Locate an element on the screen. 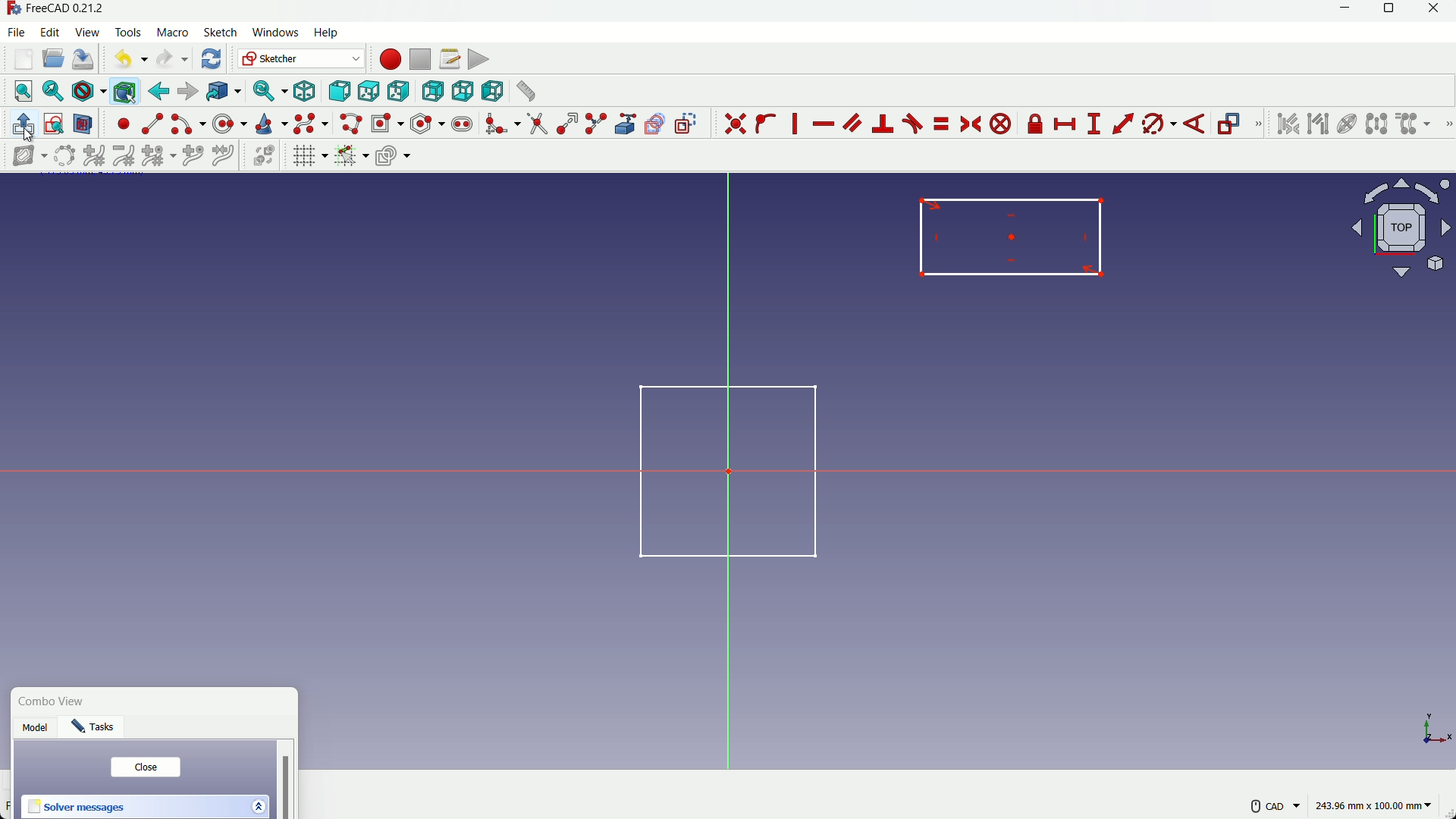  constraint arc or circle is located at coordinates (1155, 127).